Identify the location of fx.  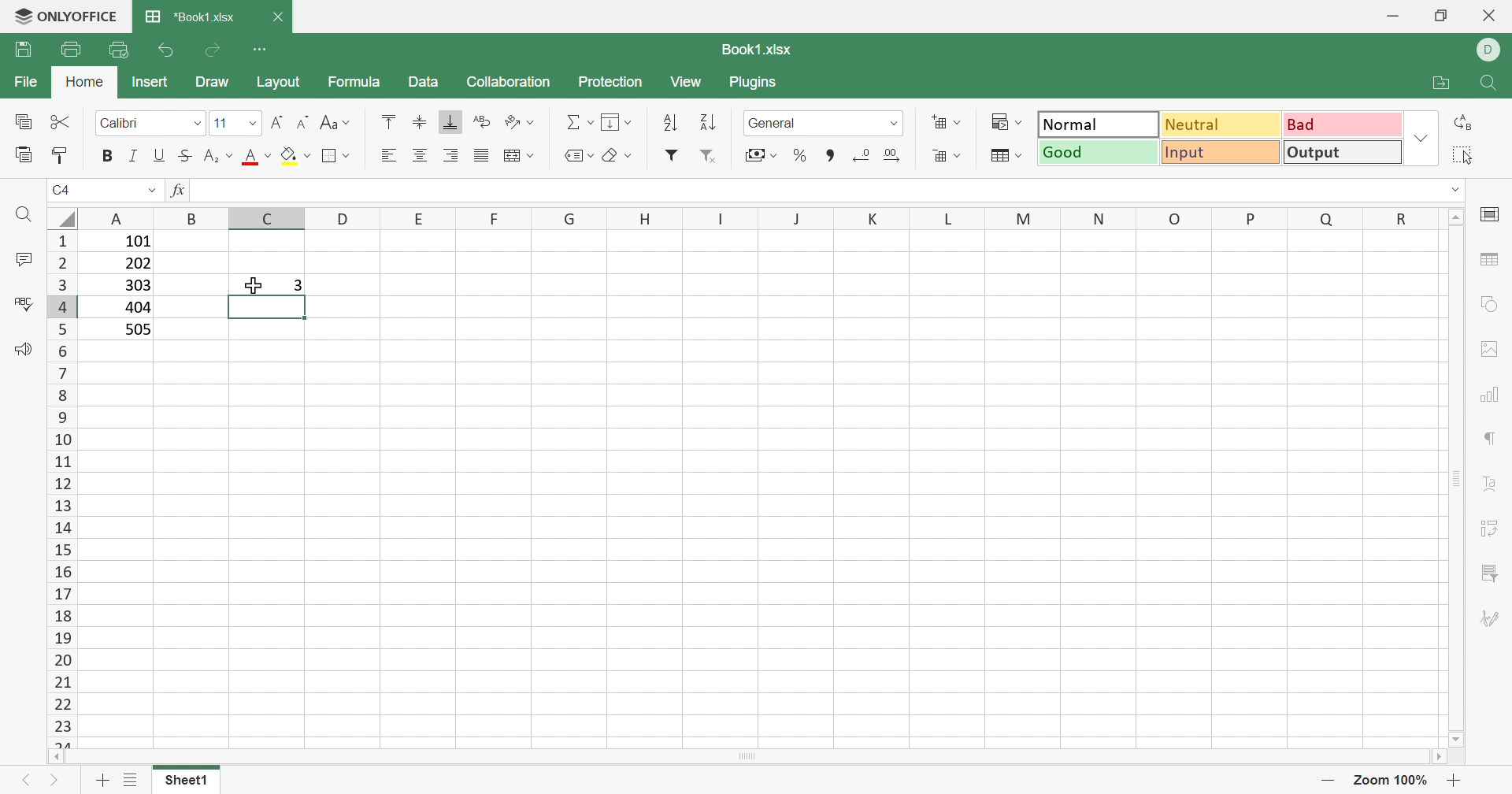
(178, 192).